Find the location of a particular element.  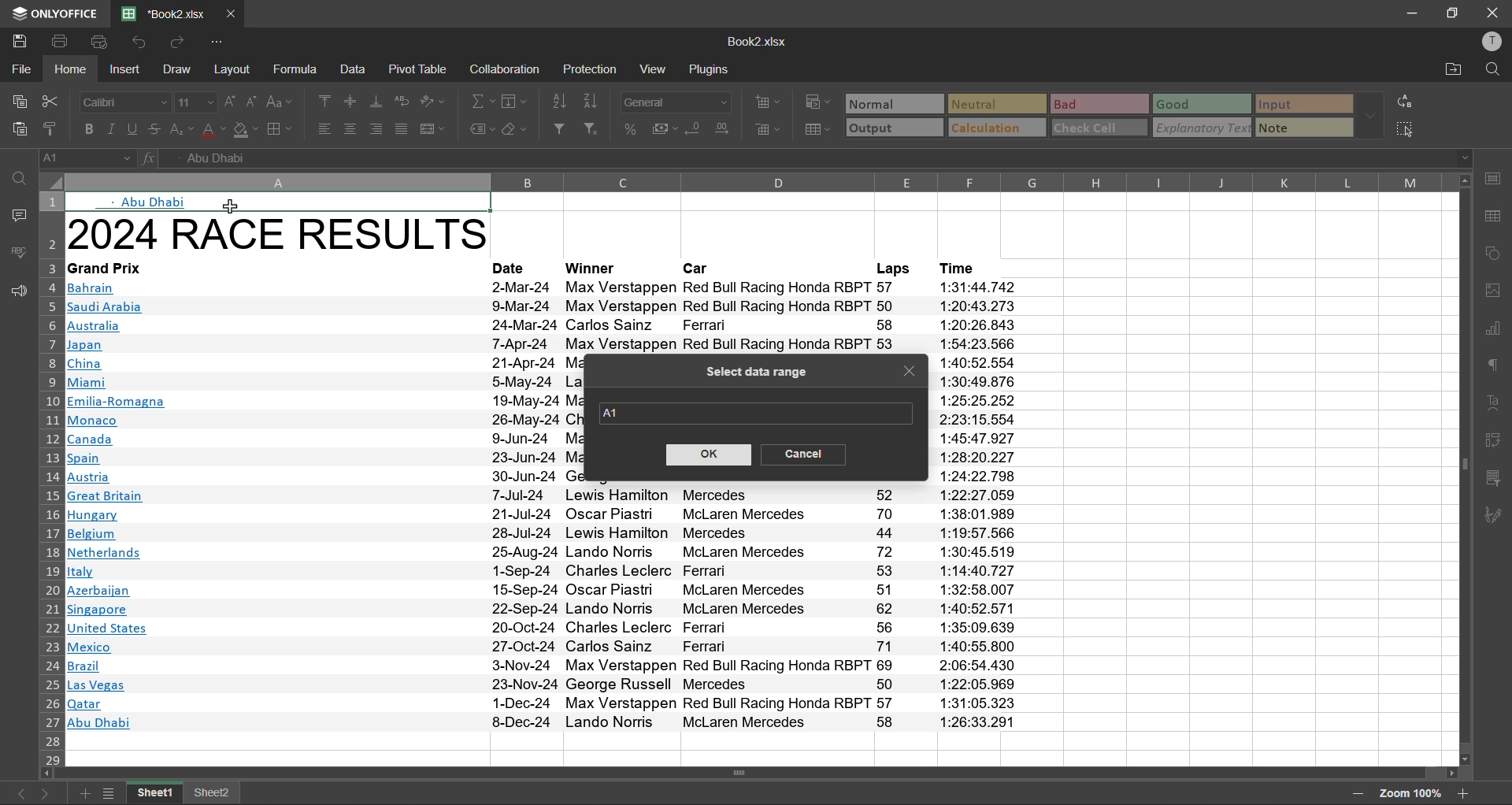

more options is located at coordinates (1368, 115).